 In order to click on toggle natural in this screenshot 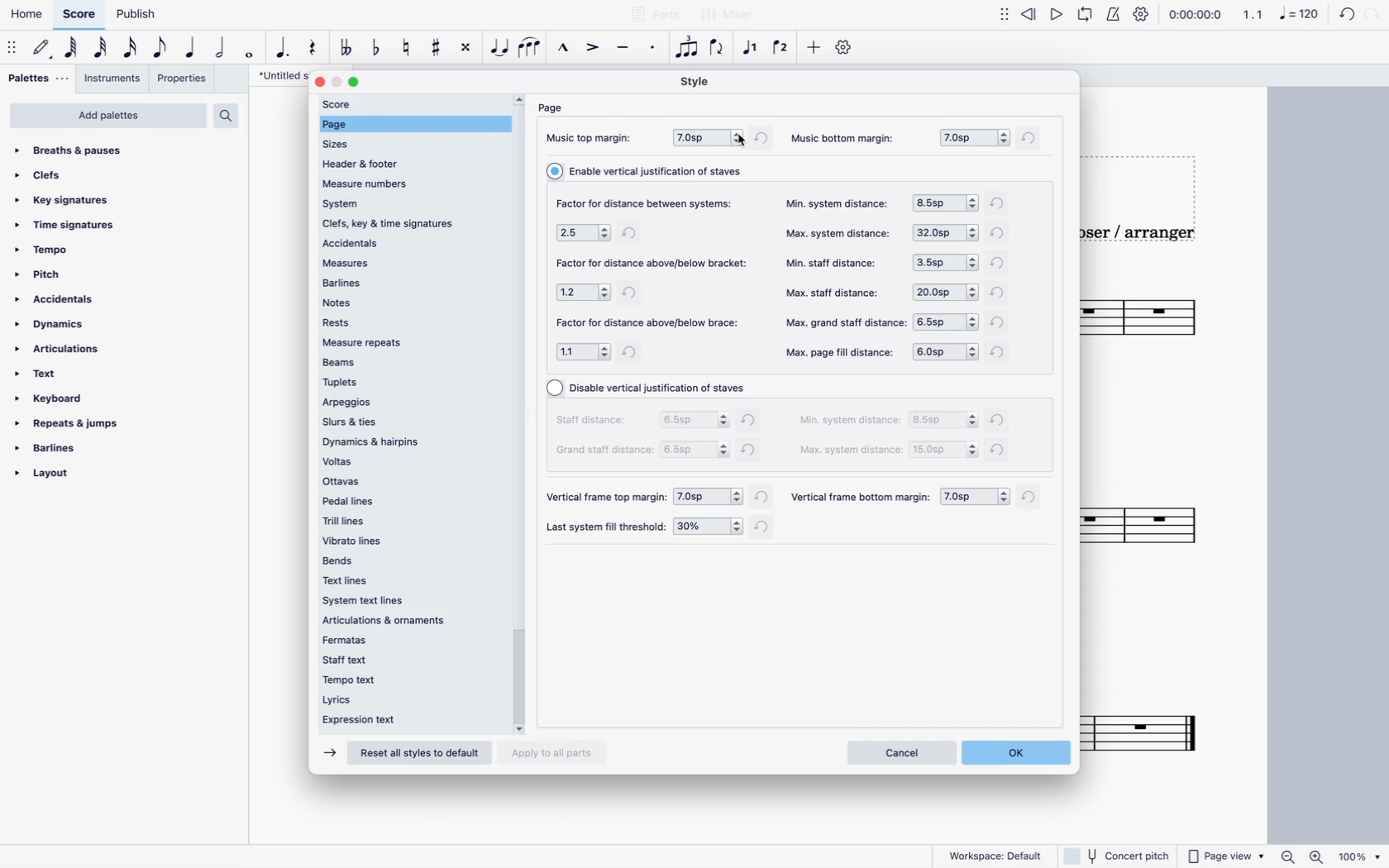, I will do `click(406, 46)`.